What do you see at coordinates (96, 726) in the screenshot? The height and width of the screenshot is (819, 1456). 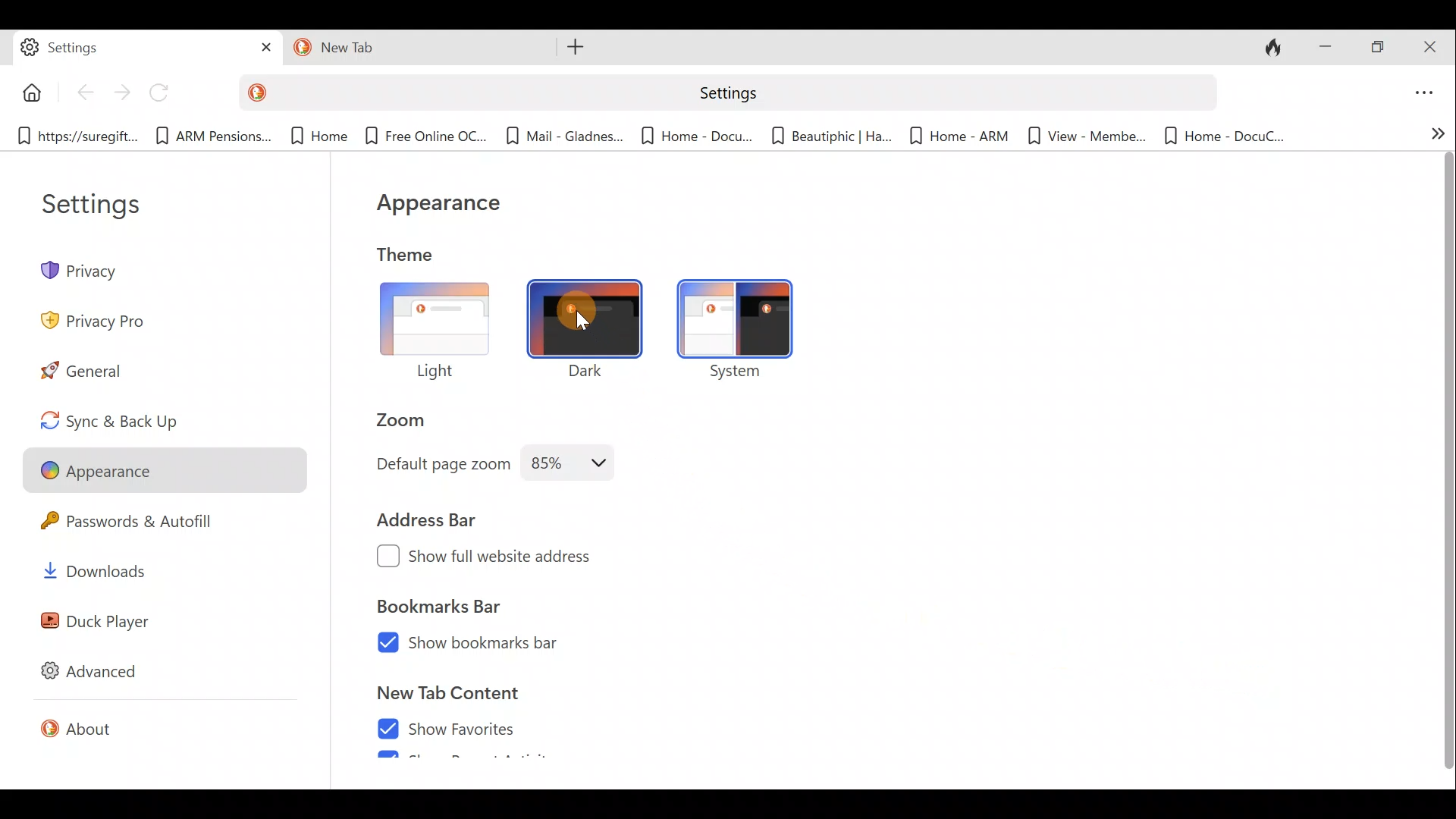 I see `About` at bounding box center [96, 726].